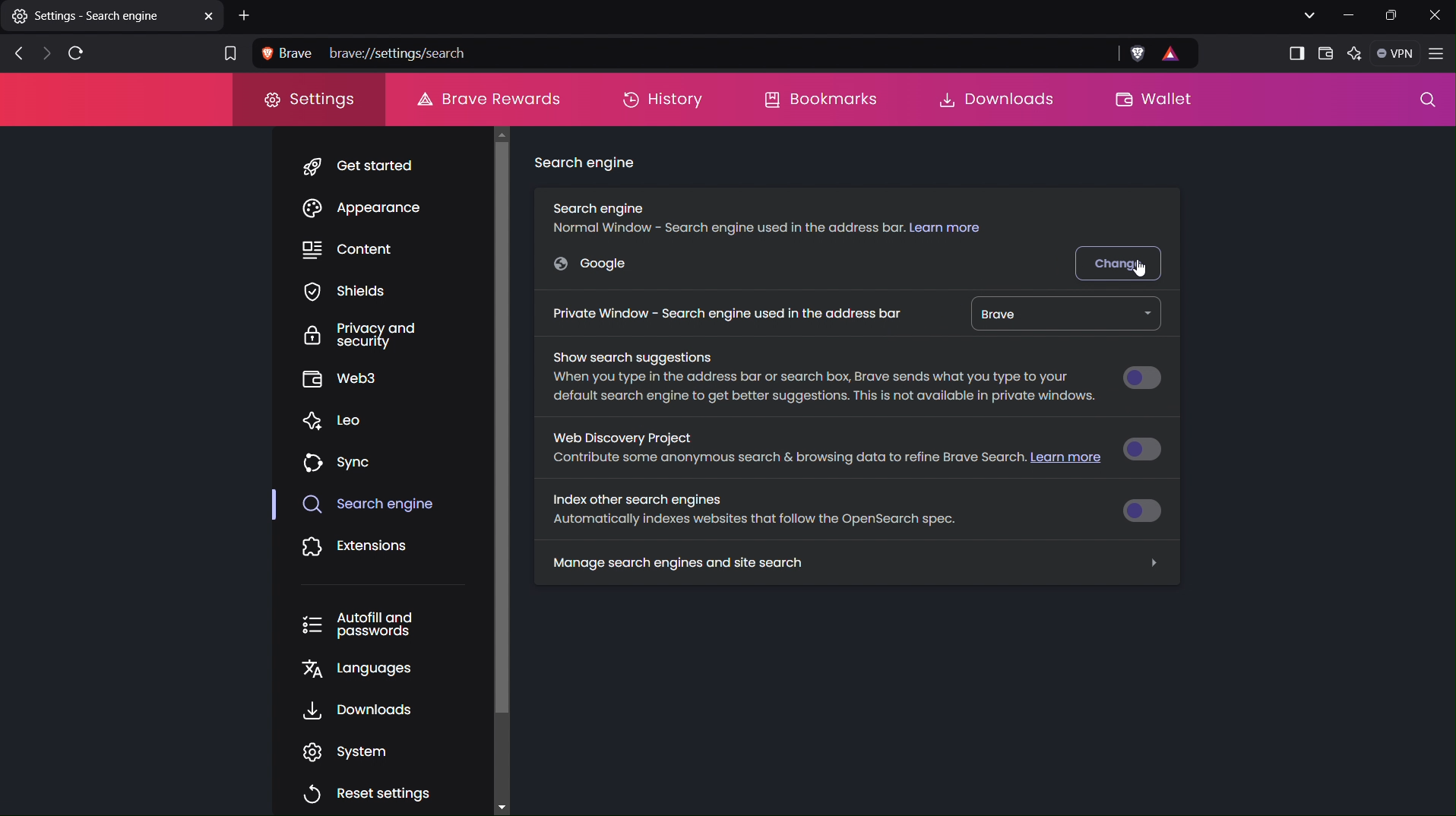  What do you see at coordinates (371, 505) in the screenshot?
I see `Search Engine (selected)` at bounding box center [371, 505].